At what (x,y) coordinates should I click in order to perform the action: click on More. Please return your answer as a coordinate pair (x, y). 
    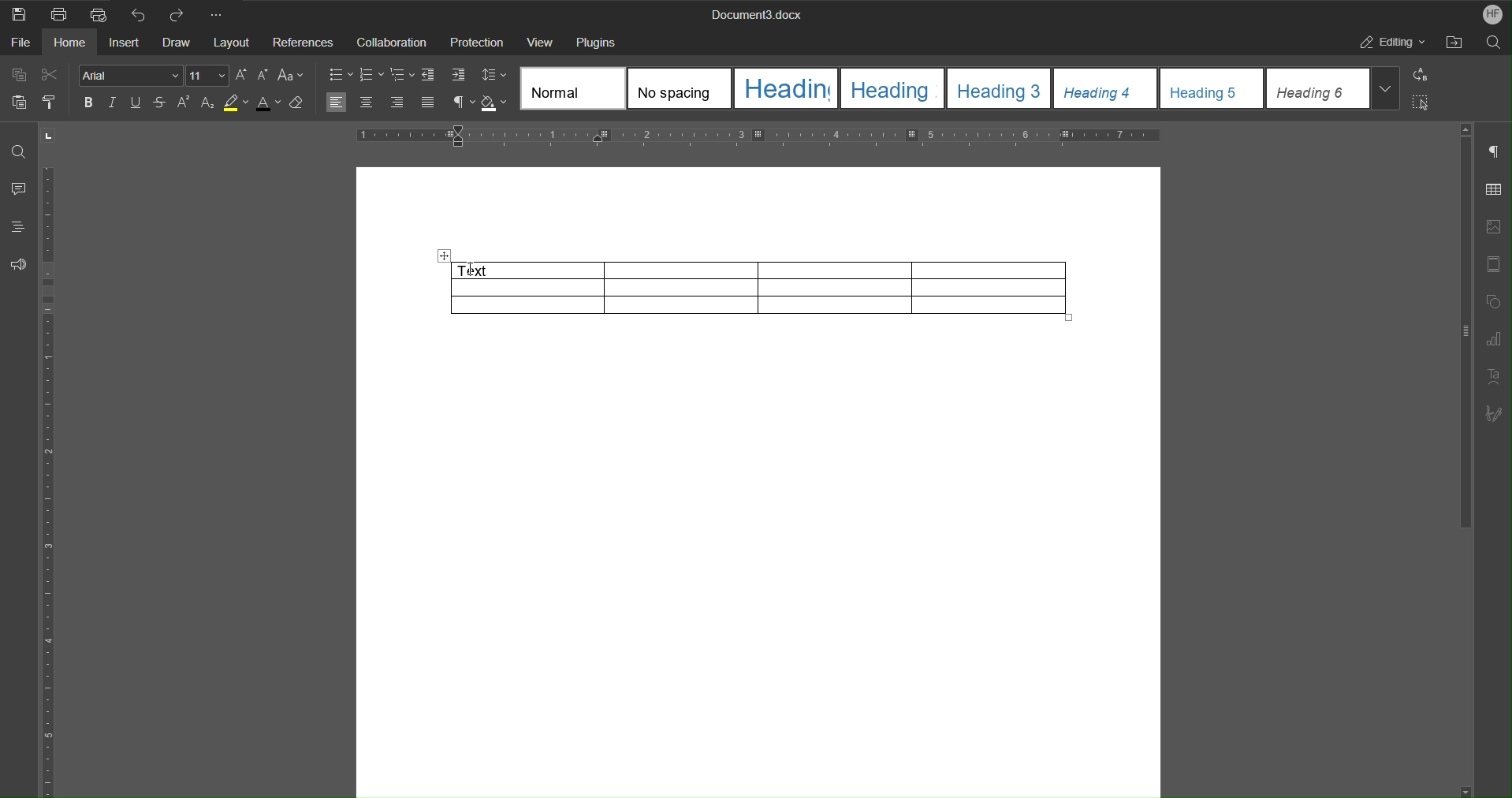
    Looking at the image, I should click on (223, 13).